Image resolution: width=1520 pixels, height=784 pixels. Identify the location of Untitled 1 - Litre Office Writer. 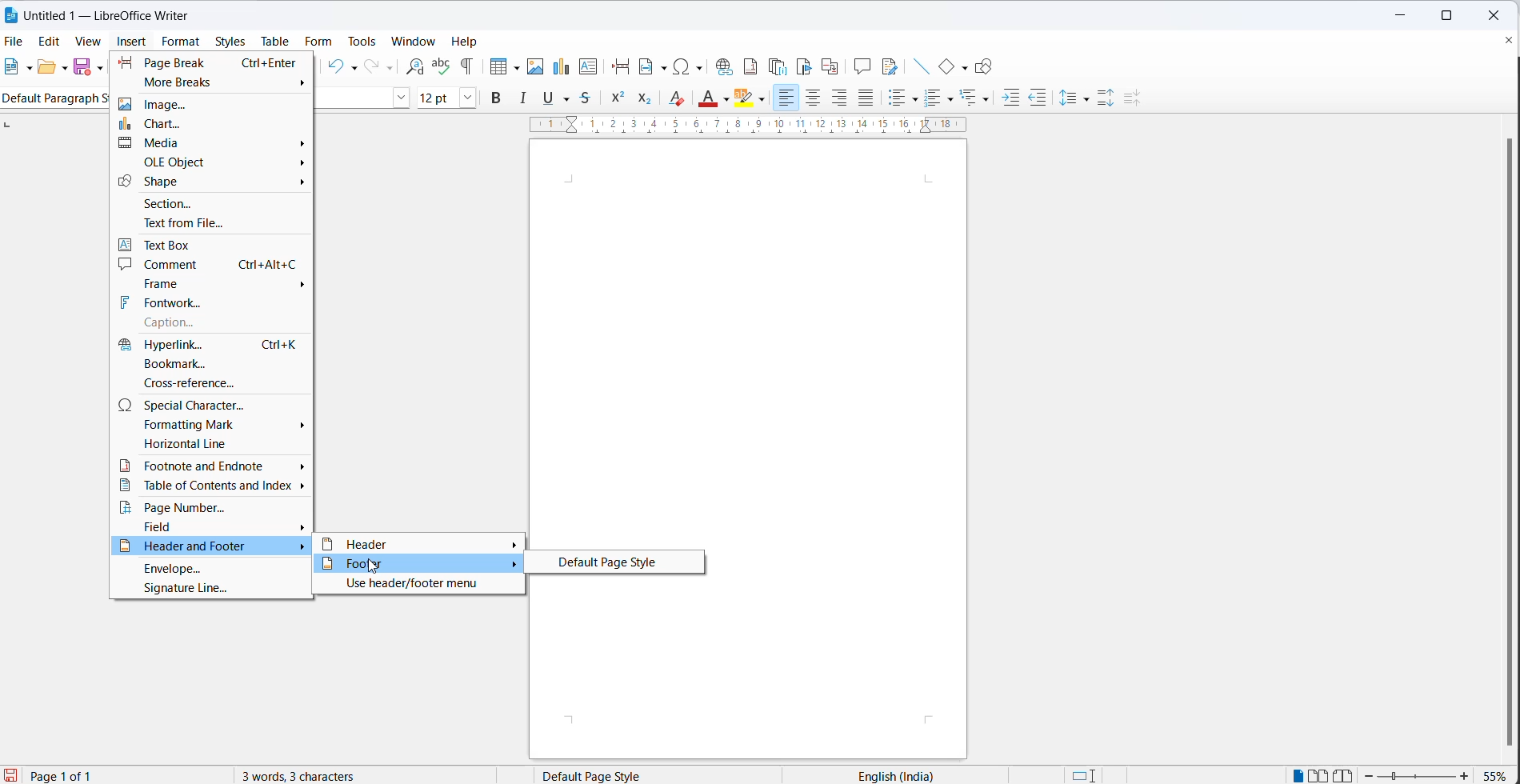
(105, 15).